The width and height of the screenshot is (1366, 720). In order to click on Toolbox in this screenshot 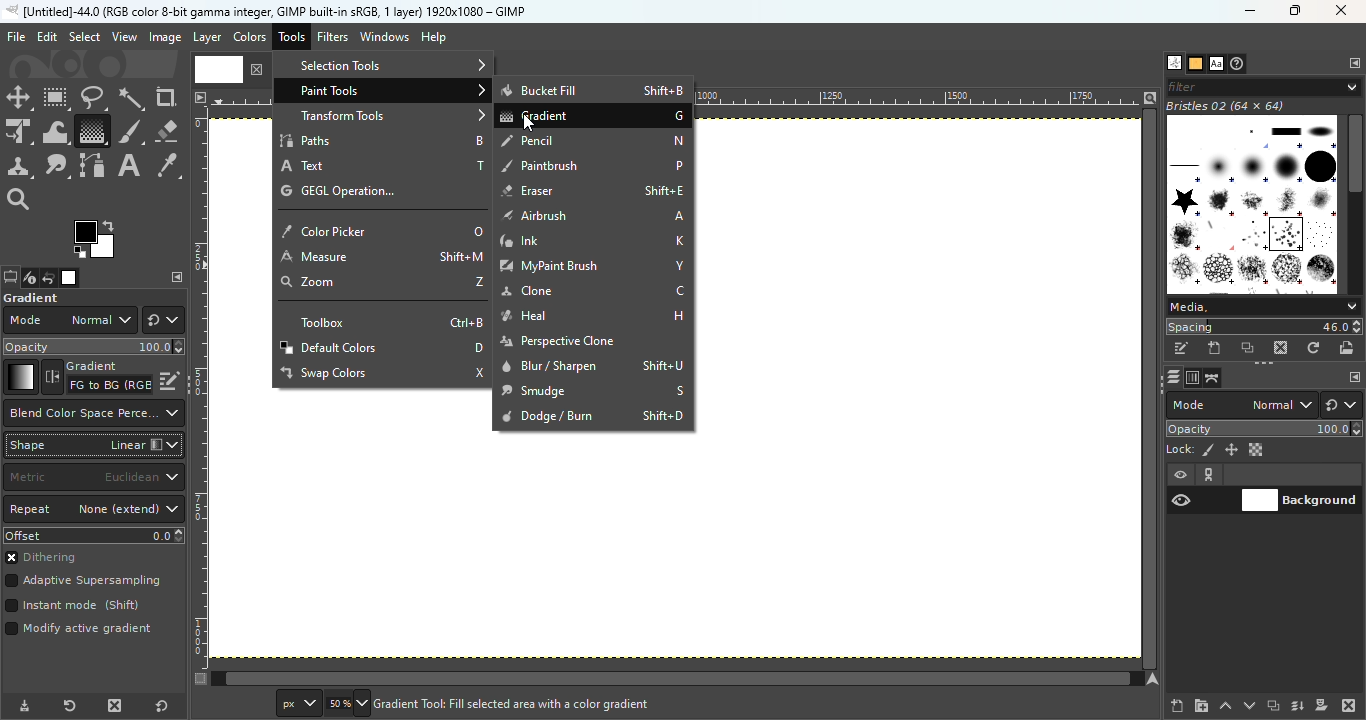, I will do `click(381, 321)`.